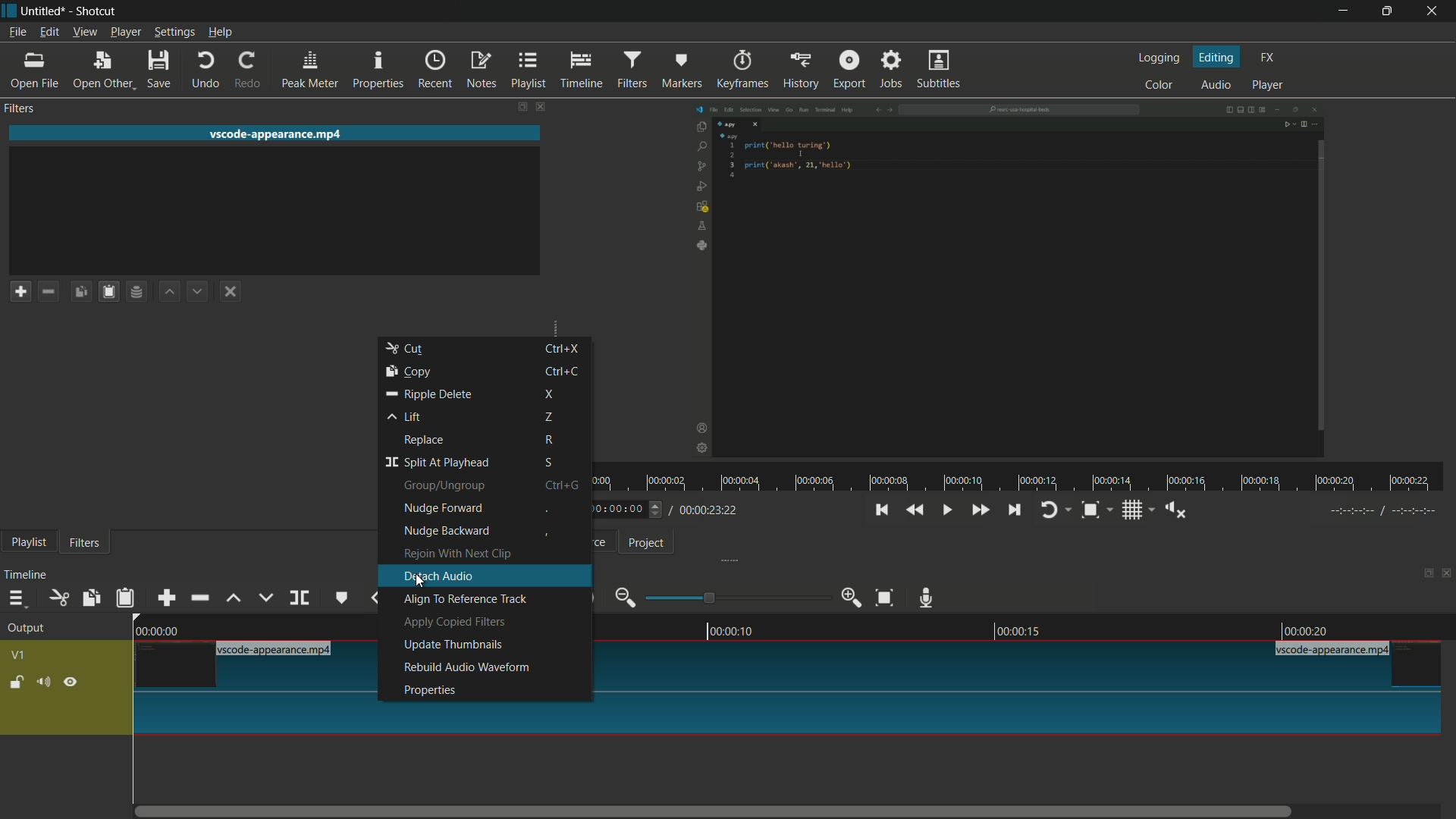  Describe the element at coordinates (15, 32) in the screenshot. I see `file menu` at that location.